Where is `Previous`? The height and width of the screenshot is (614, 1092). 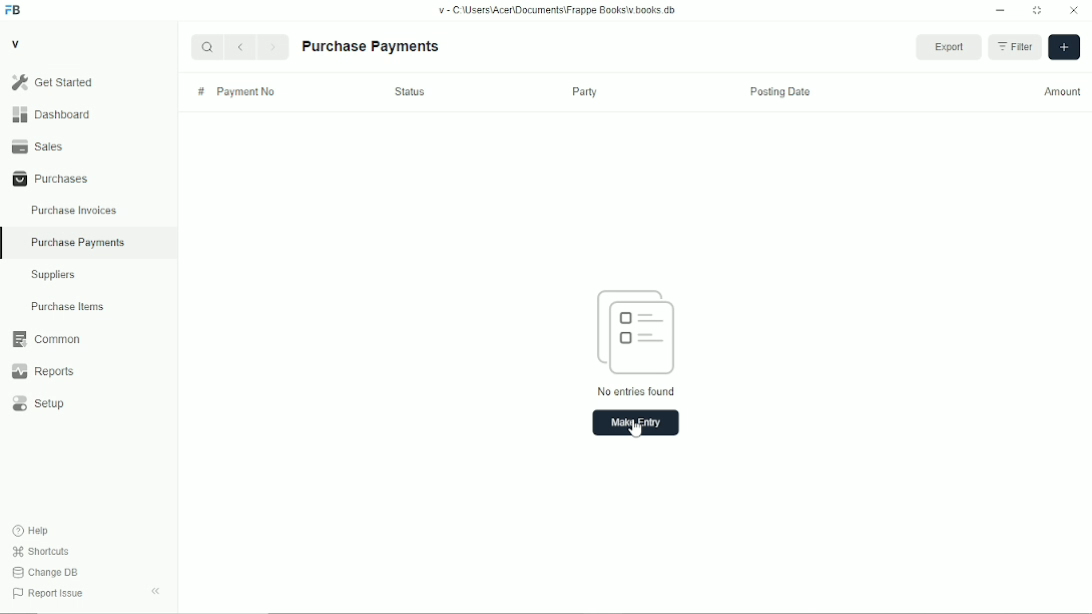 Previous is located at coordinates (240, 47).